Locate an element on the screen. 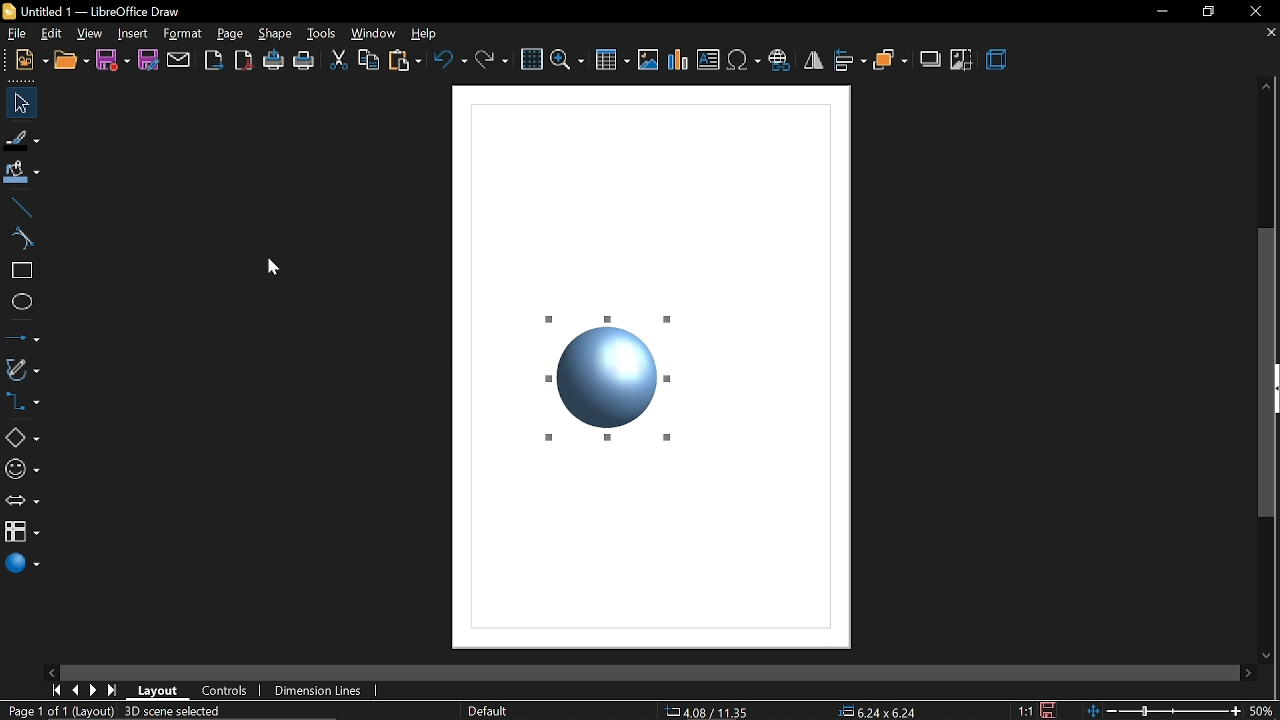 The height and width of the screenshot is (720, 1280). arrange is located at coordinates (891, 60).